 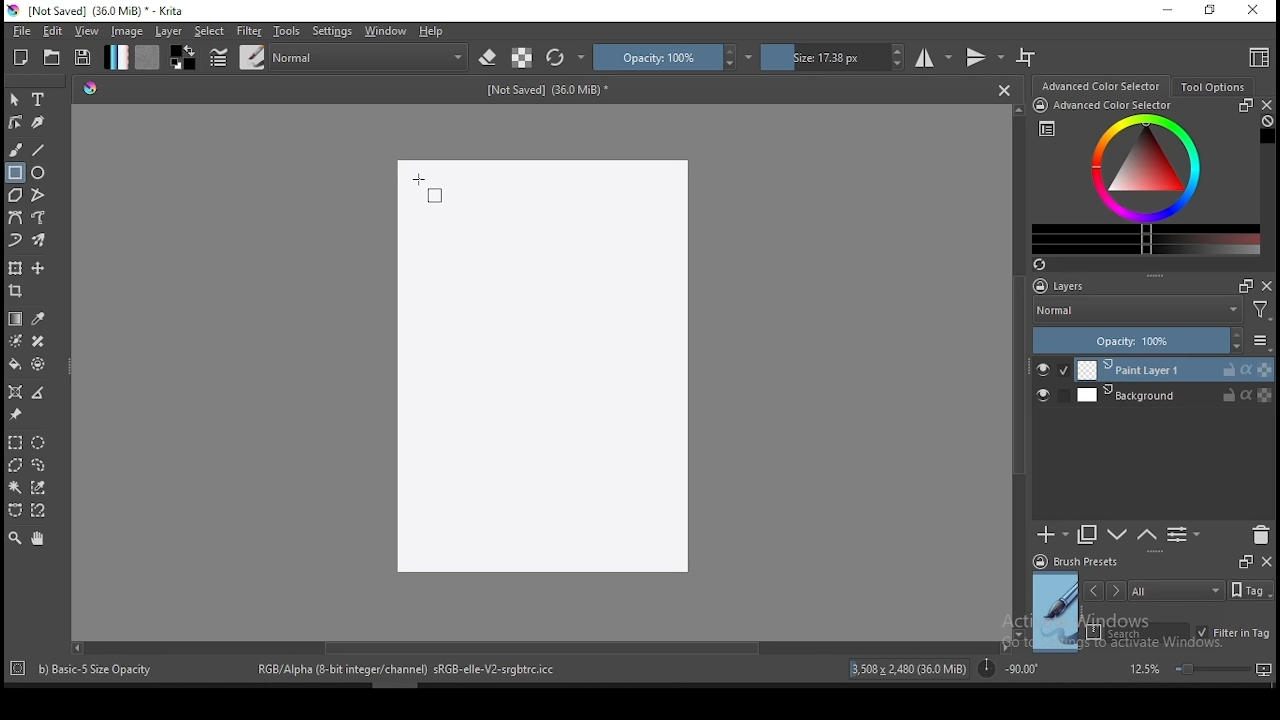 I want to click on assistant tool, so click(x=15, y=392).